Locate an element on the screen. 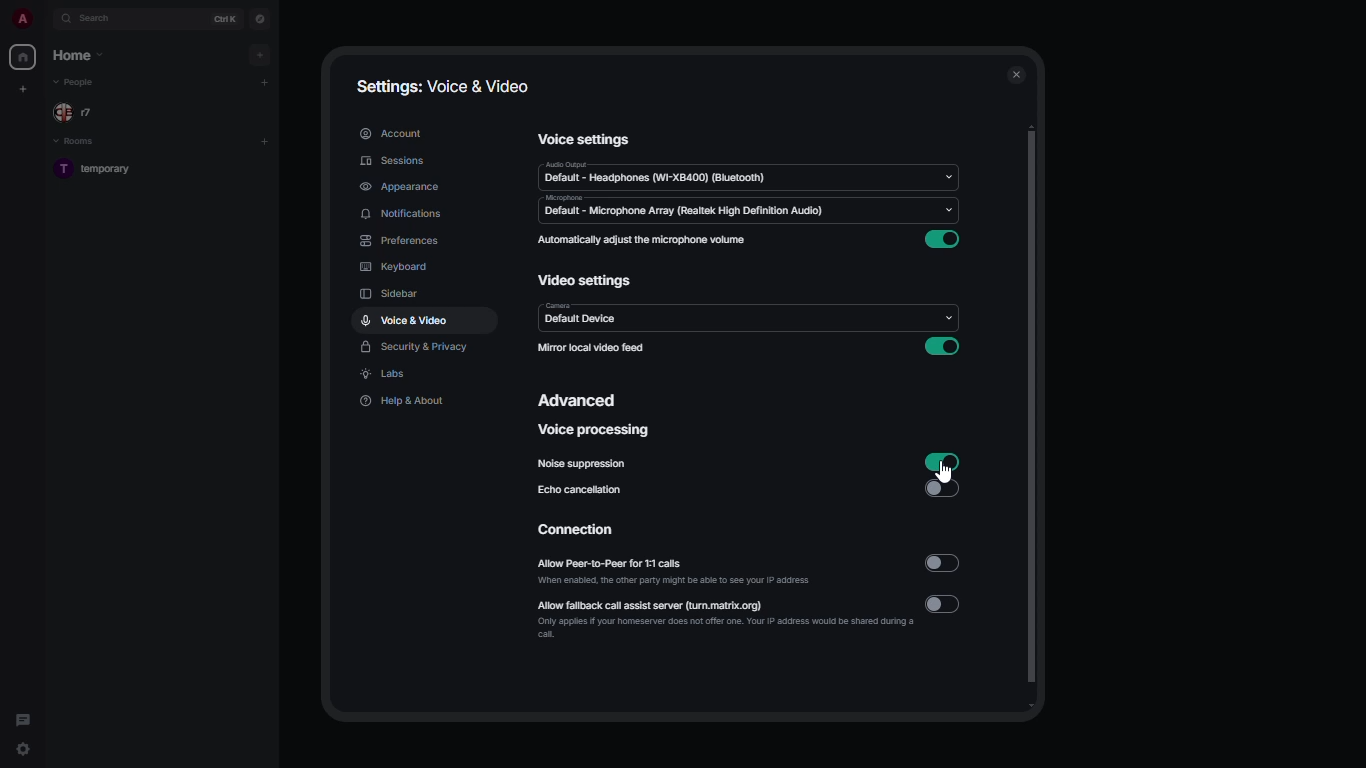 The width and height of the screenshot is (1366, 768). automatically adjust the microphone volume is located at coordinates (643, 241).